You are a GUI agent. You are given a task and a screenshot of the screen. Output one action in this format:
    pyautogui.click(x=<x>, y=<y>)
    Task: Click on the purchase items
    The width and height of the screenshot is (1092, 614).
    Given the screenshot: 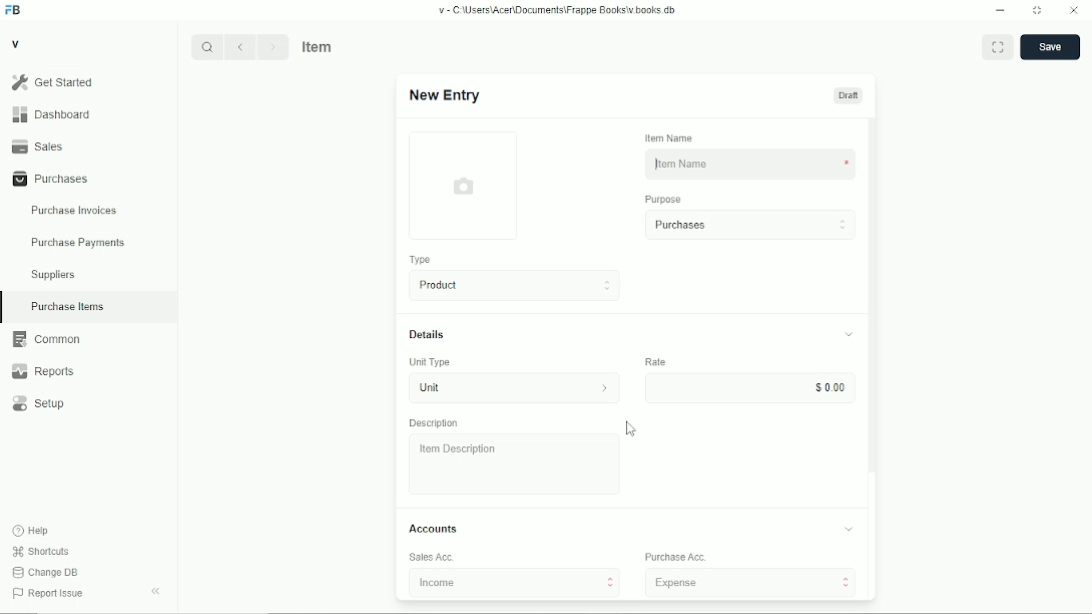 What is the action you would take?
    pyautogui.click(x=67, y=307)
    